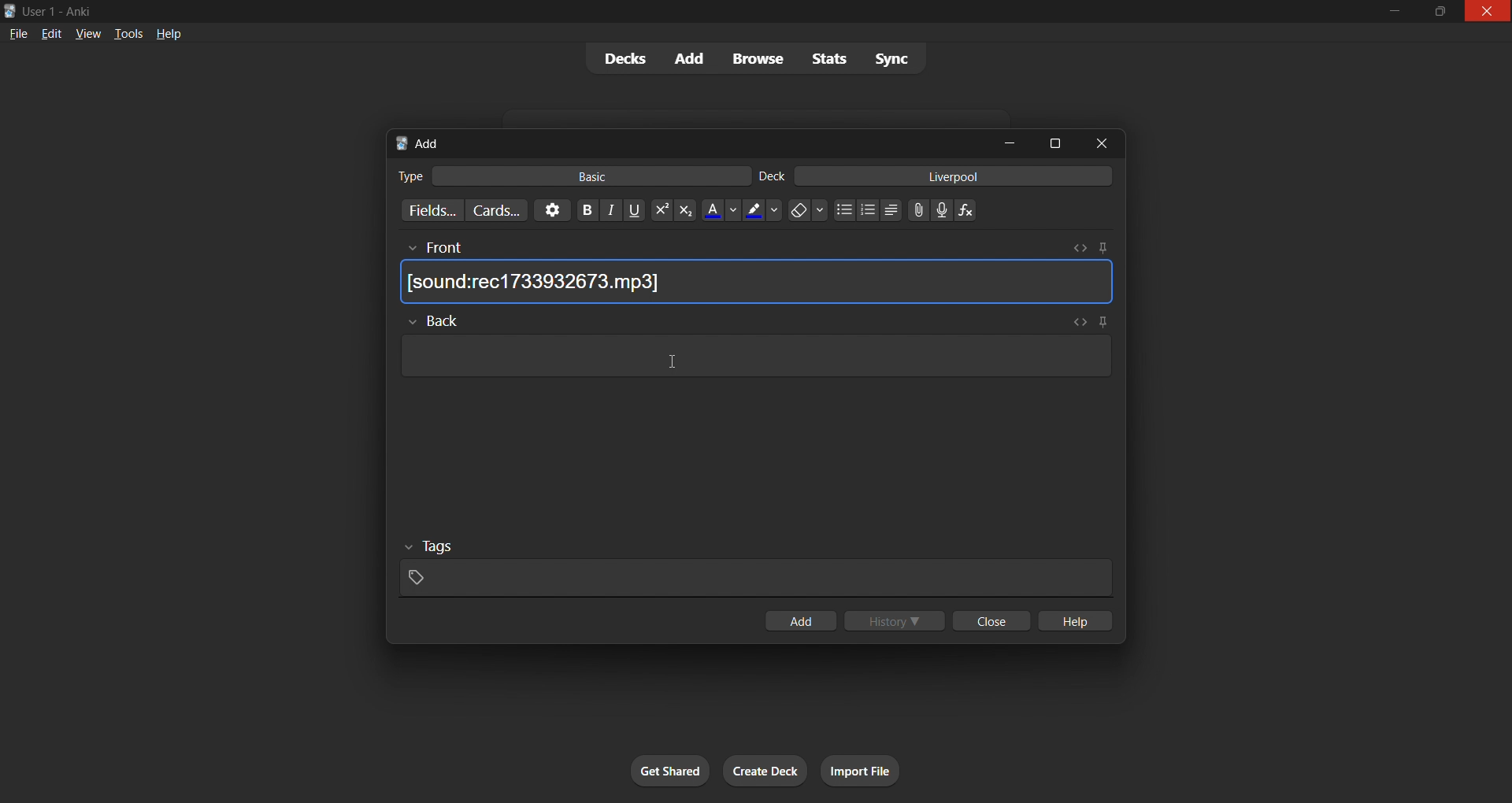  I want to click on card tags input, so click(752, 568).